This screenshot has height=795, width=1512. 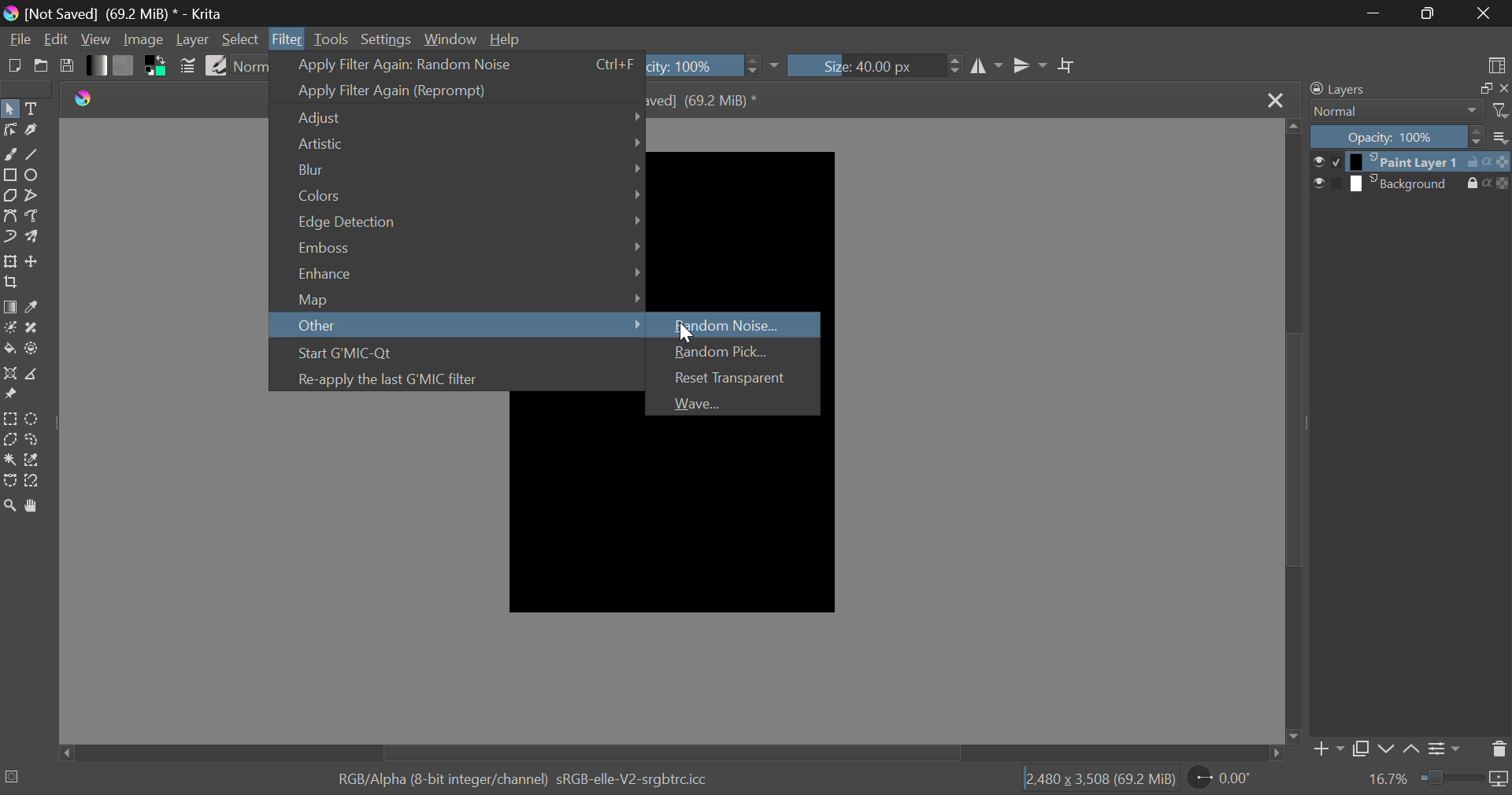 I want to click on Continuous Selection, so click(x=11, y=461).